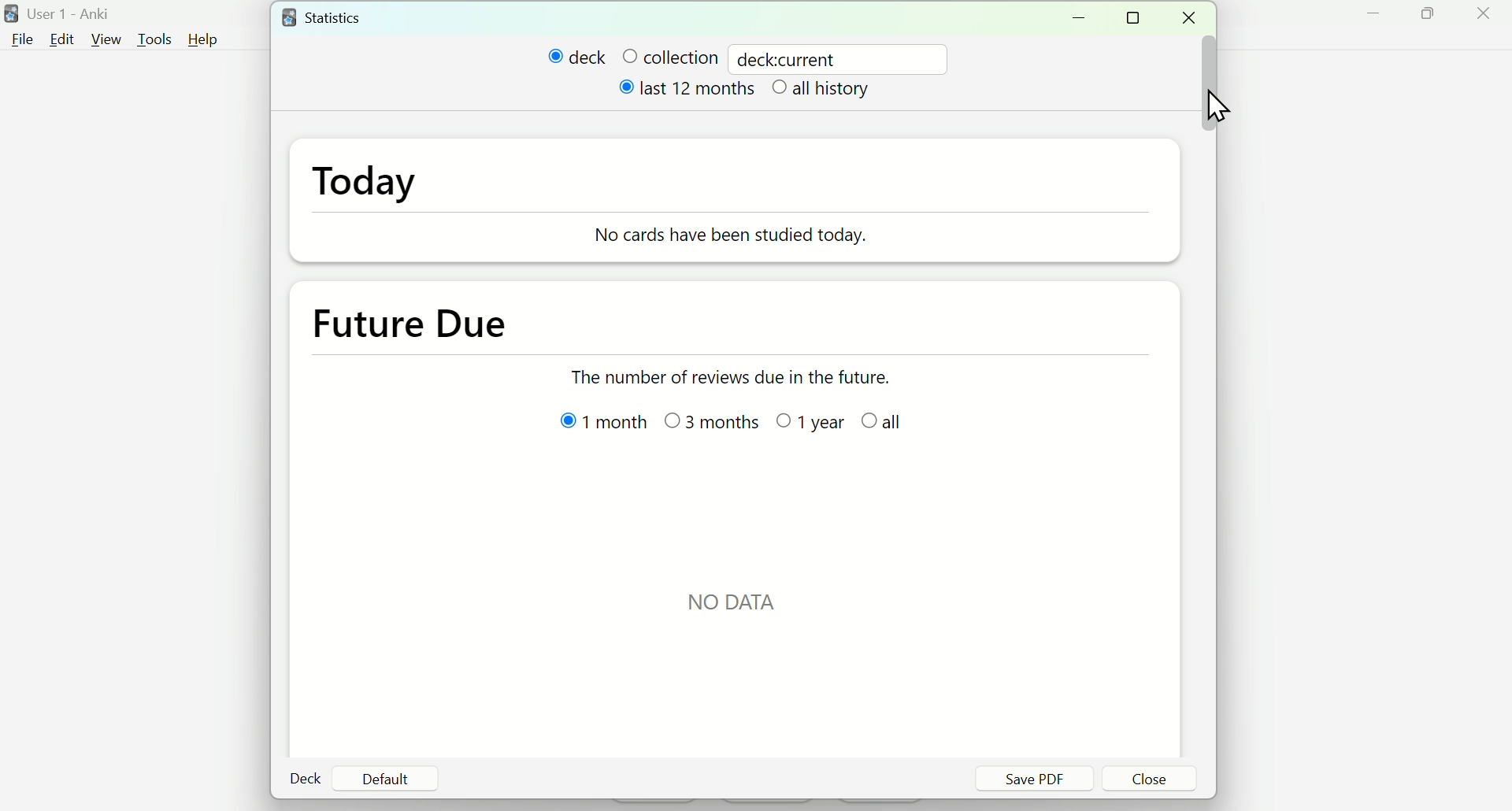 The width and height of the screenshot is (1512, 811). I want to click on Maximize, so click(1437, 20).